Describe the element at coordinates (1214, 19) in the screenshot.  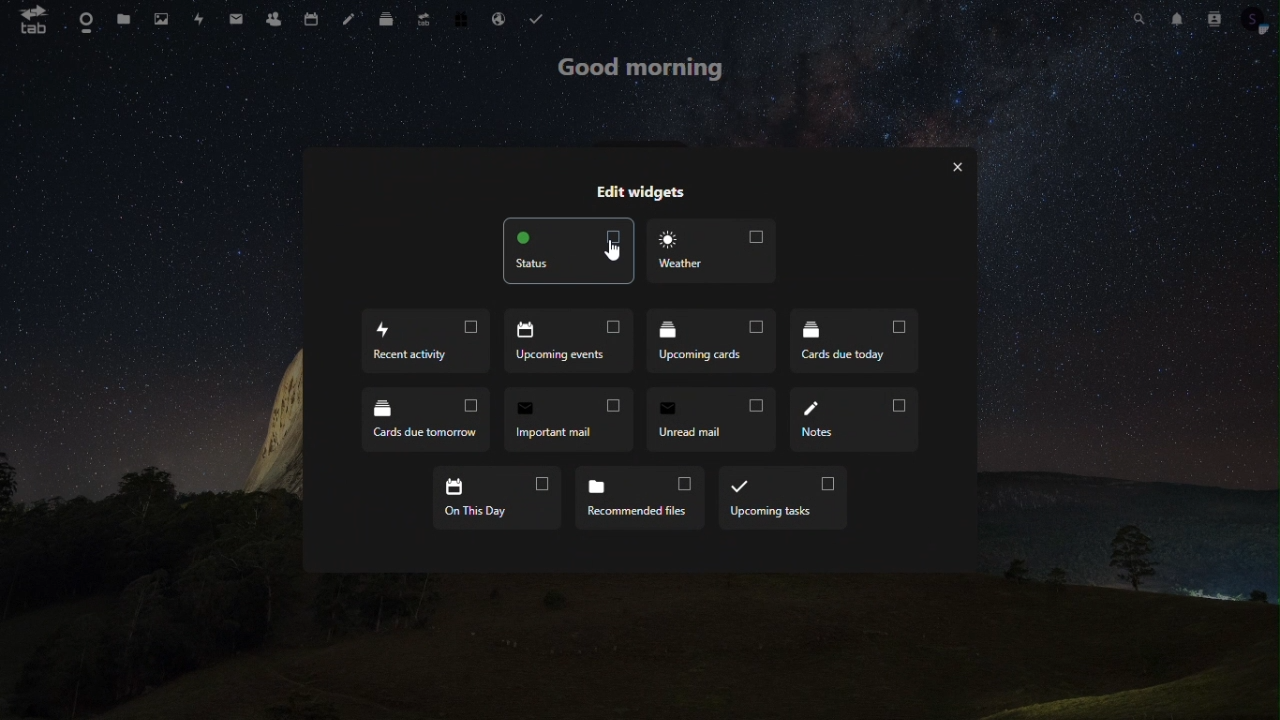
I see `contacts` at that location.